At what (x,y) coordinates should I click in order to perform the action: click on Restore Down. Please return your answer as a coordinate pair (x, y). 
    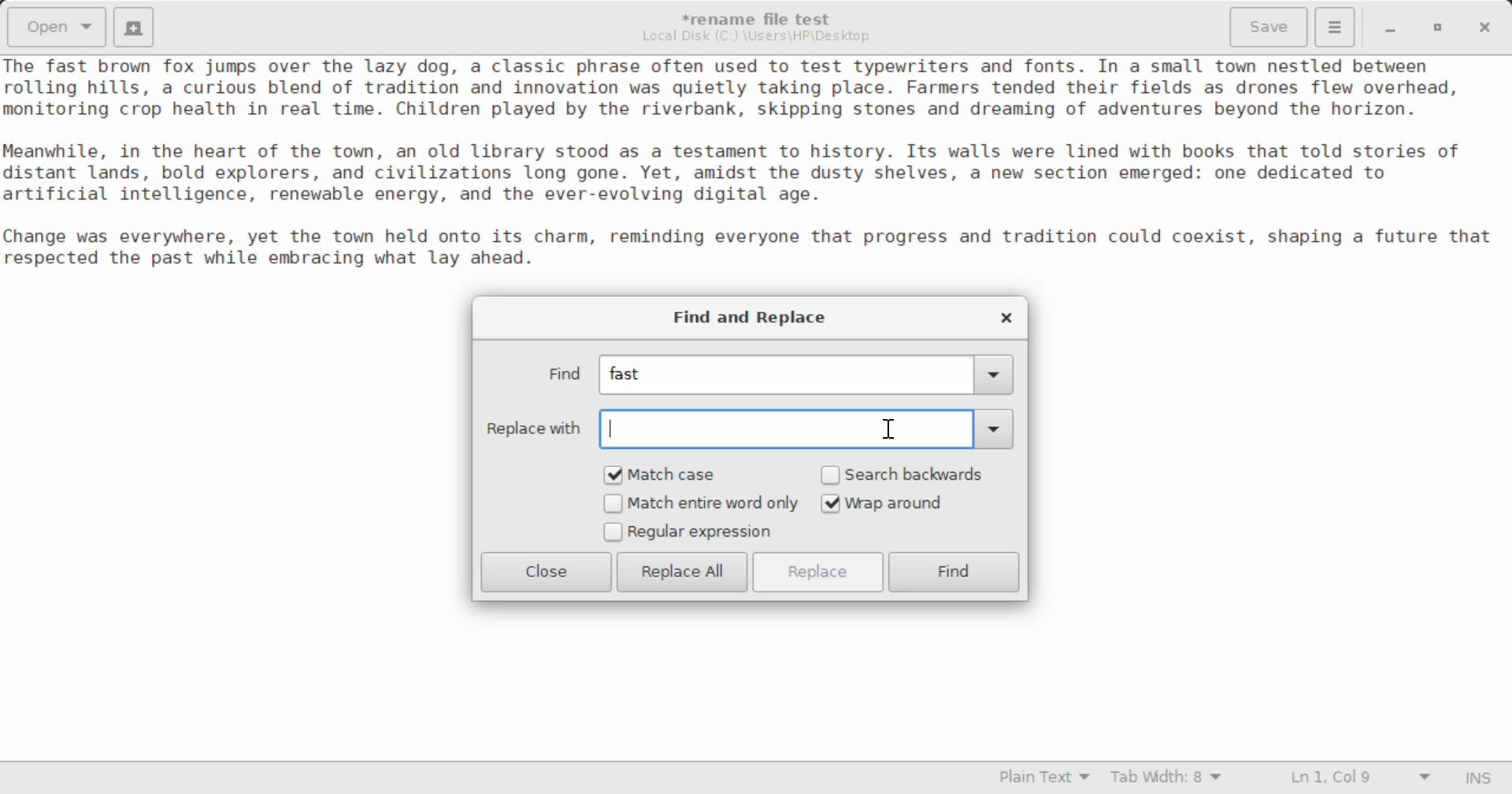
    Looking at the image, I should click on (1393, 27).